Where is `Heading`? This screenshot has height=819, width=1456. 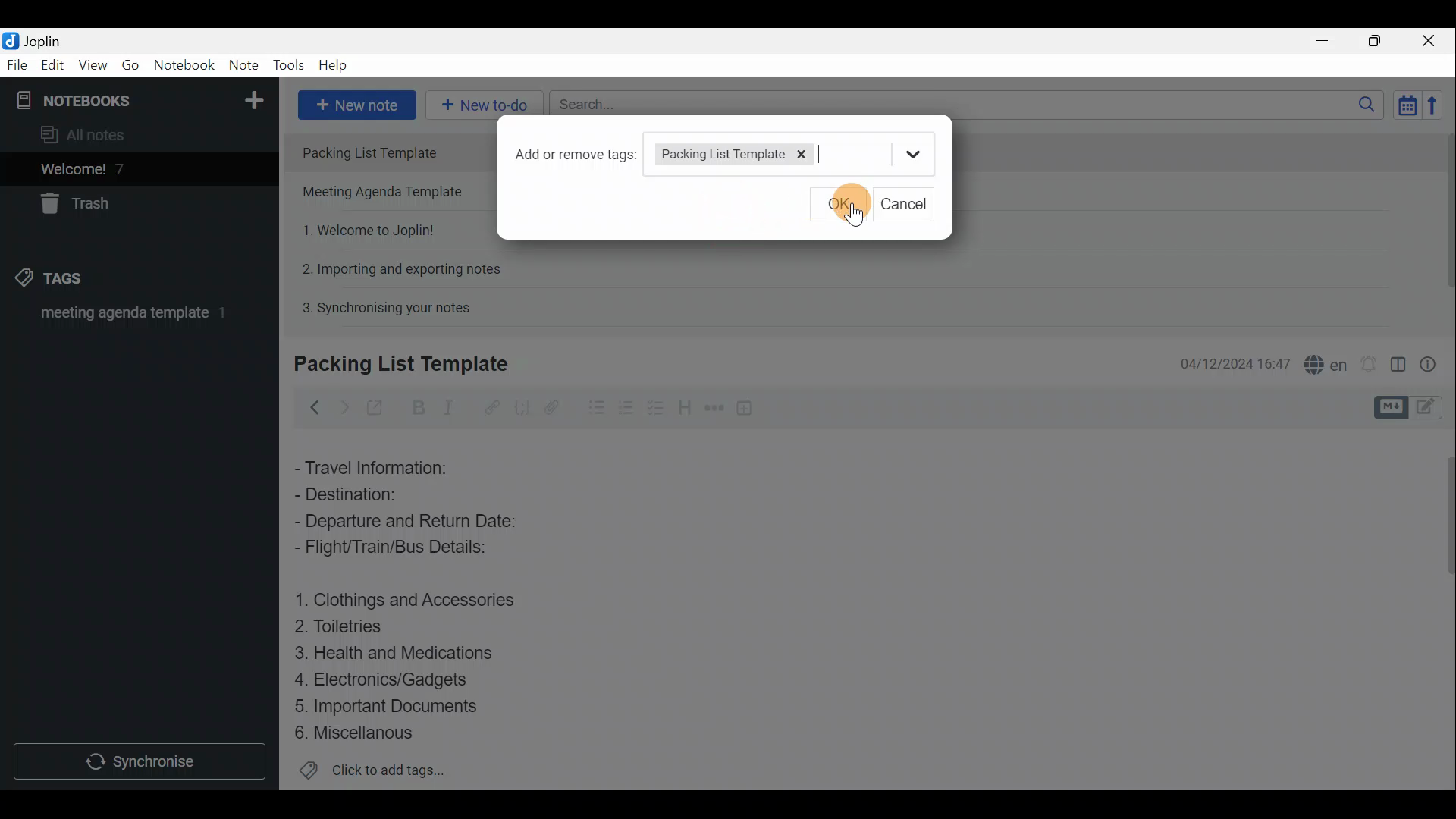
Heading is located at coordinates (686, 406).